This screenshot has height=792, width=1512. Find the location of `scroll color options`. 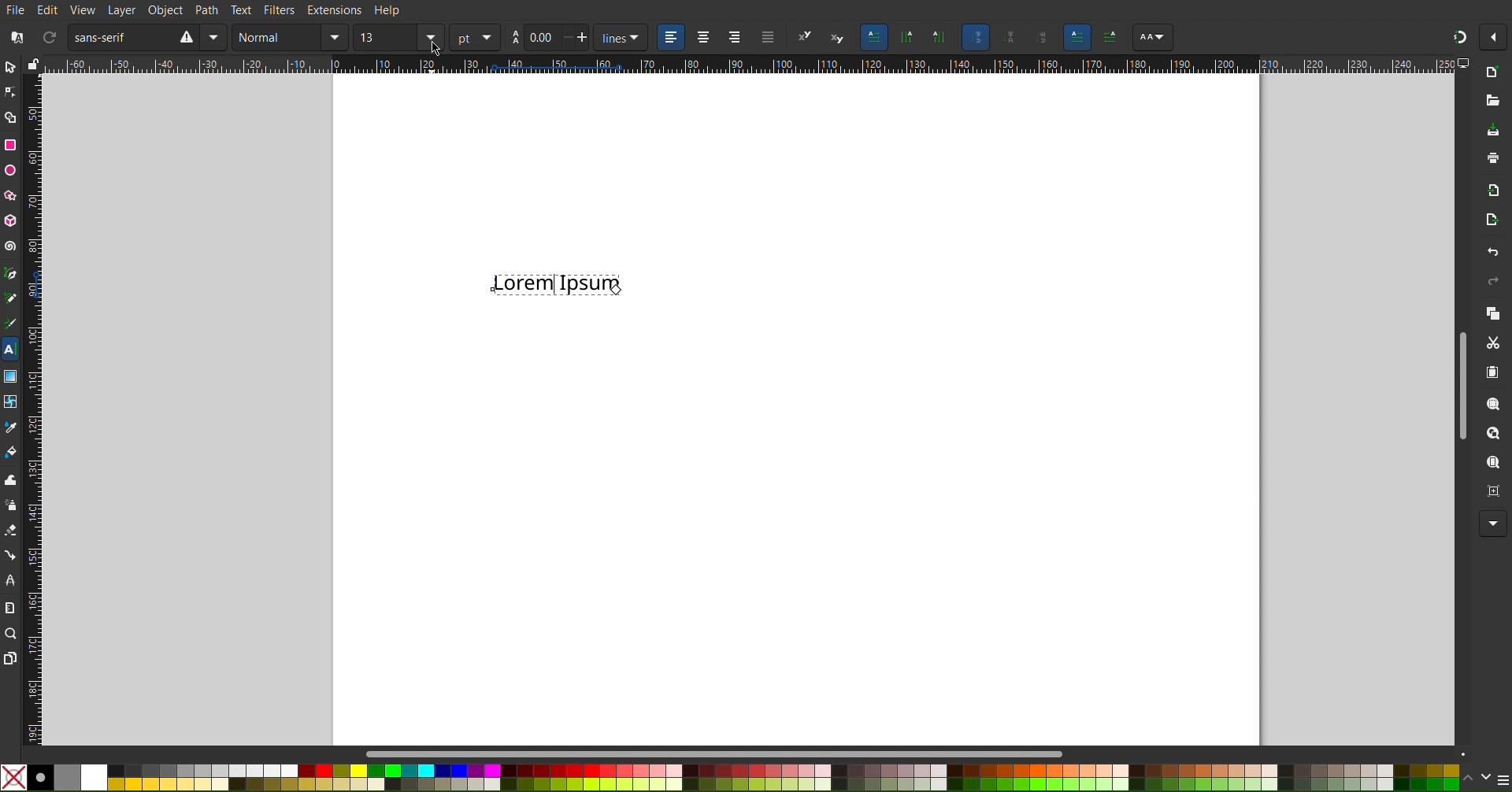

scroll color options is located at coordinates (1477, 779).